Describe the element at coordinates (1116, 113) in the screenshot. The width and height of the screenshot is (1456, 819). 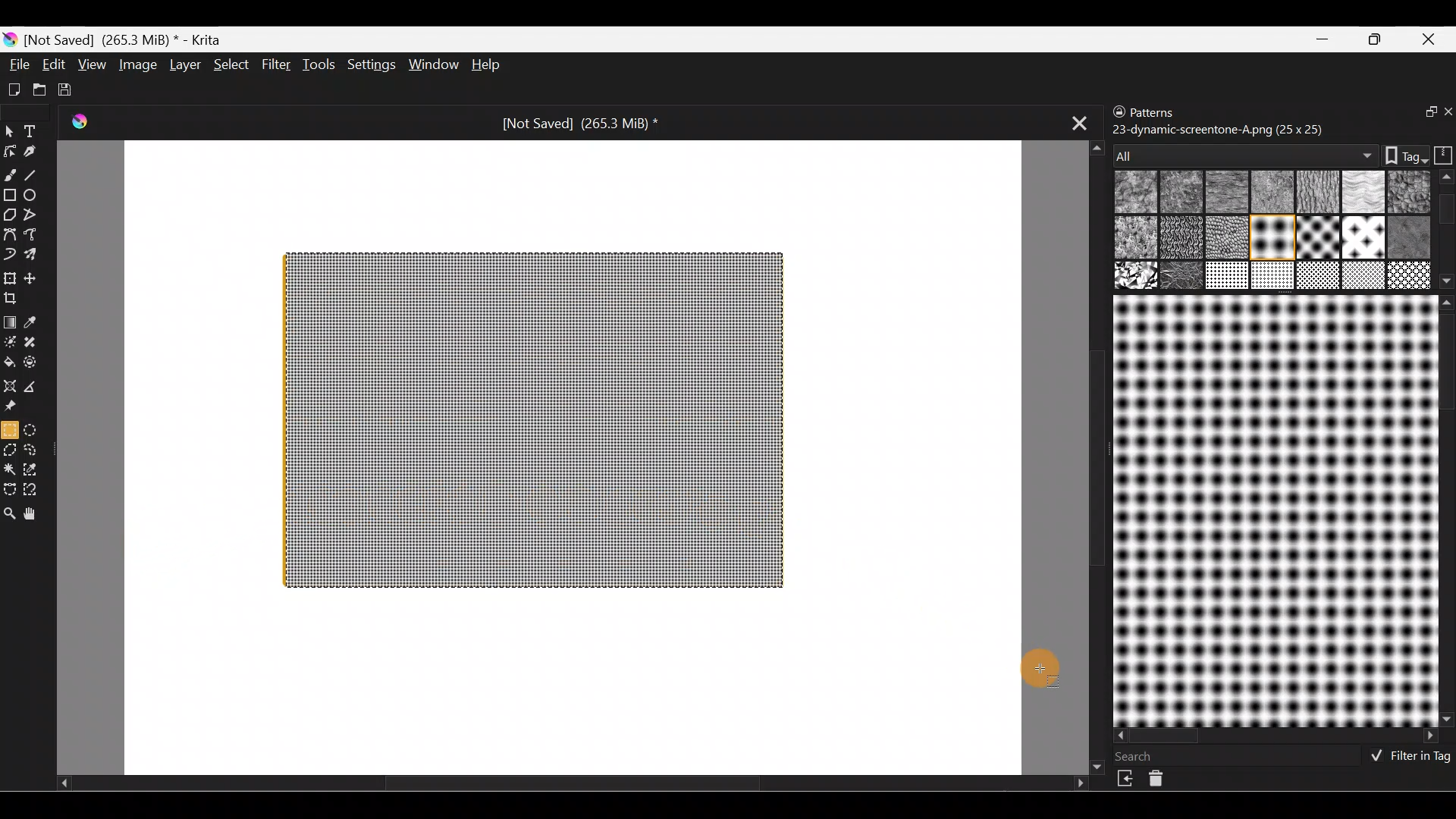
I see `Lock/unlock docker` at that location.